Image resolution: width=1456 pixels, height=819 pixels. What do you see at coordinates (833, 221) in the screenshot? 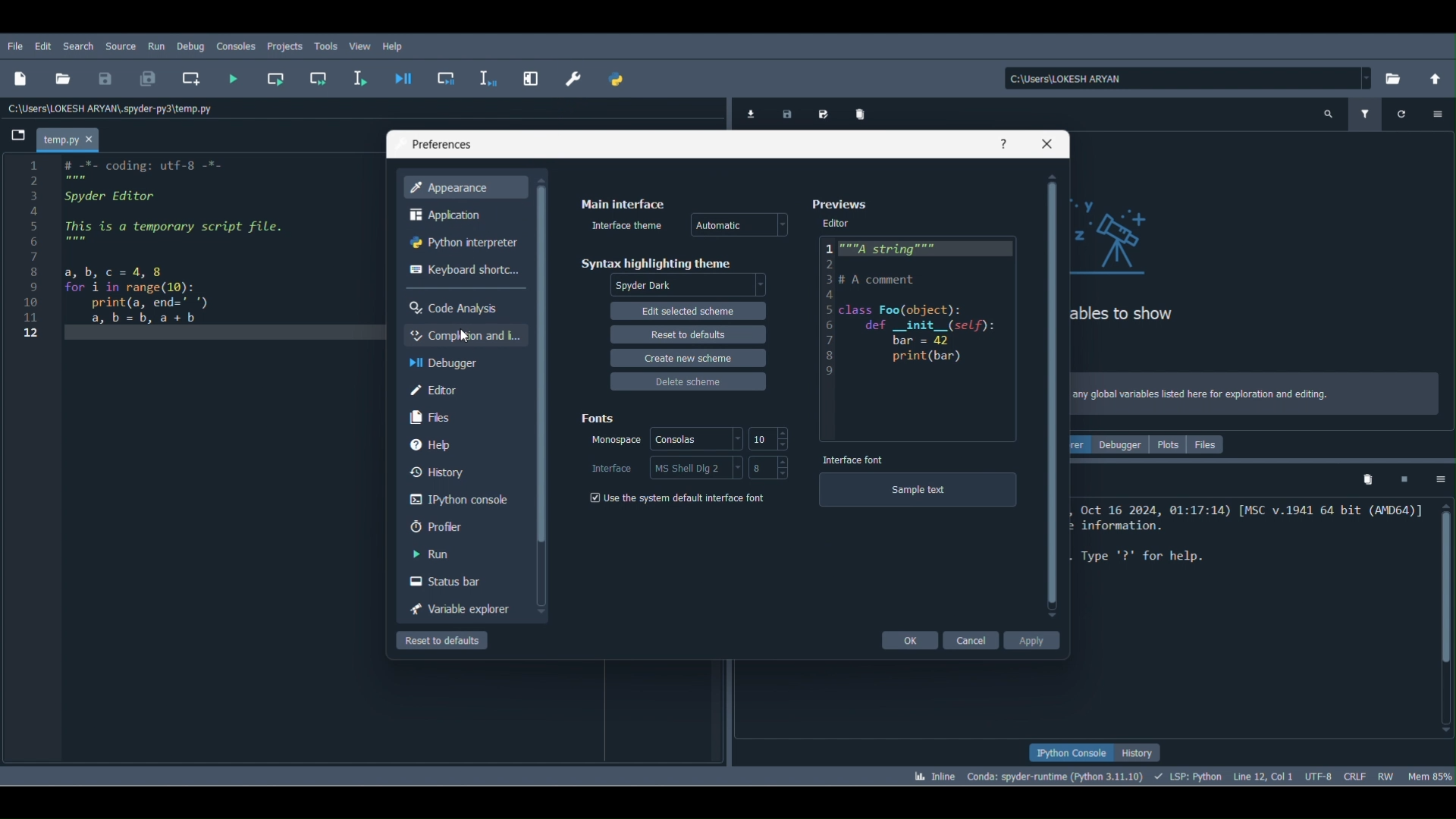
I see `Editor` at bounding box center [833, 221].